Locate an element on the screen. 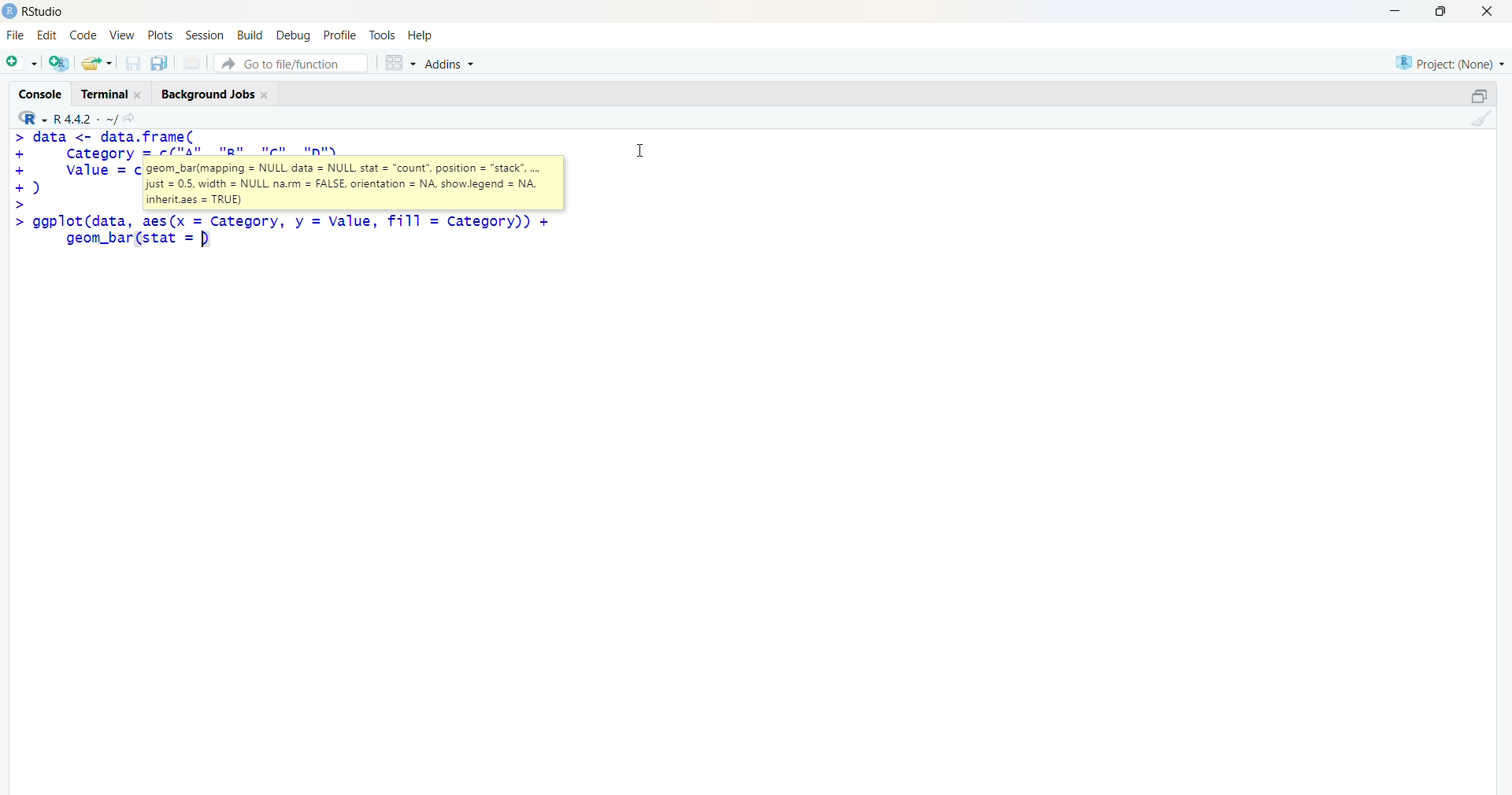 Image resolution: width=1512 pixels, height=795 pixels. maximize is located at coordinates (1479, 96).